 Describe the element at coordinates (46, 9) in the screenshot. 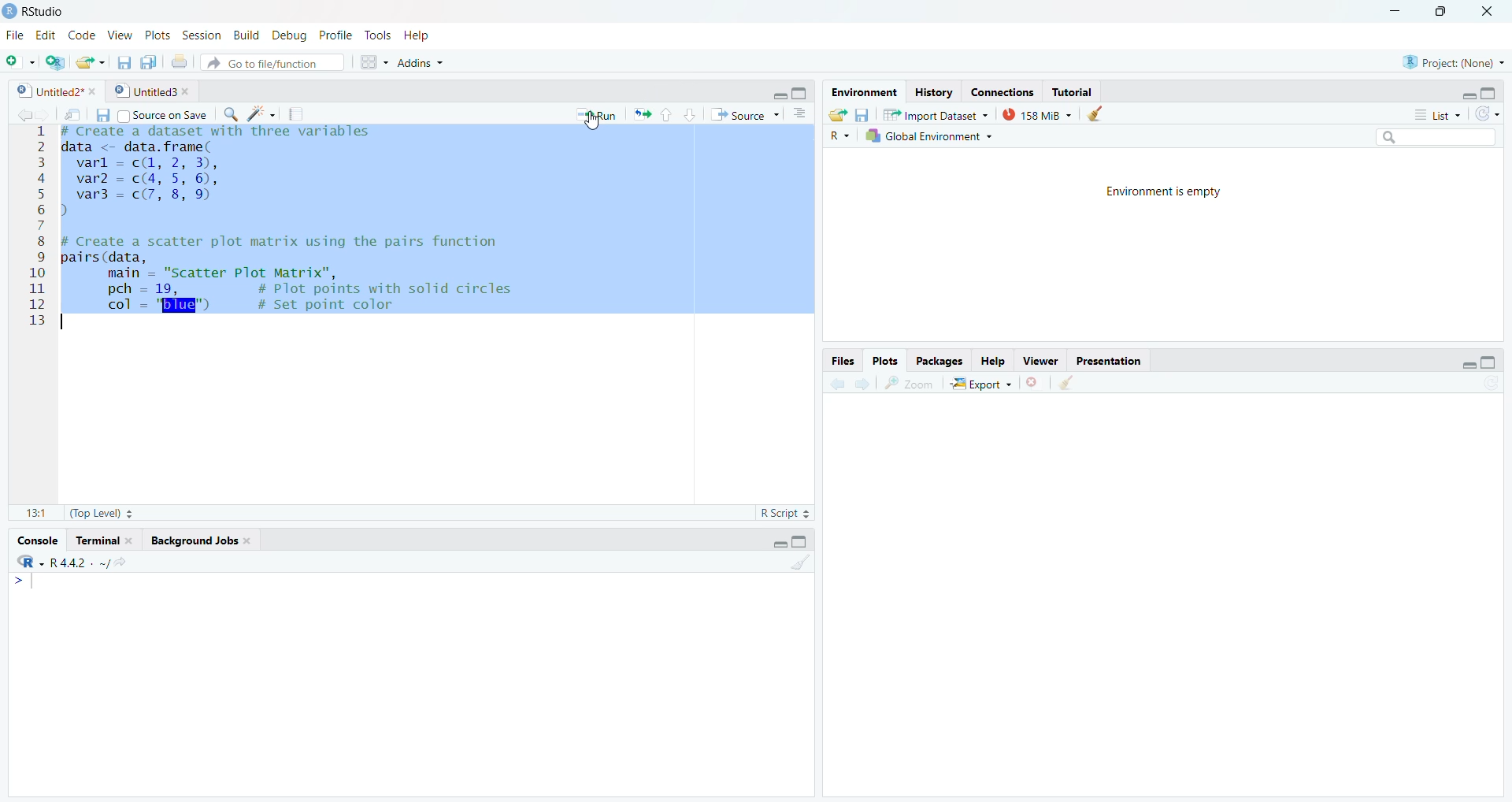

I see `Rstudio` at that location.